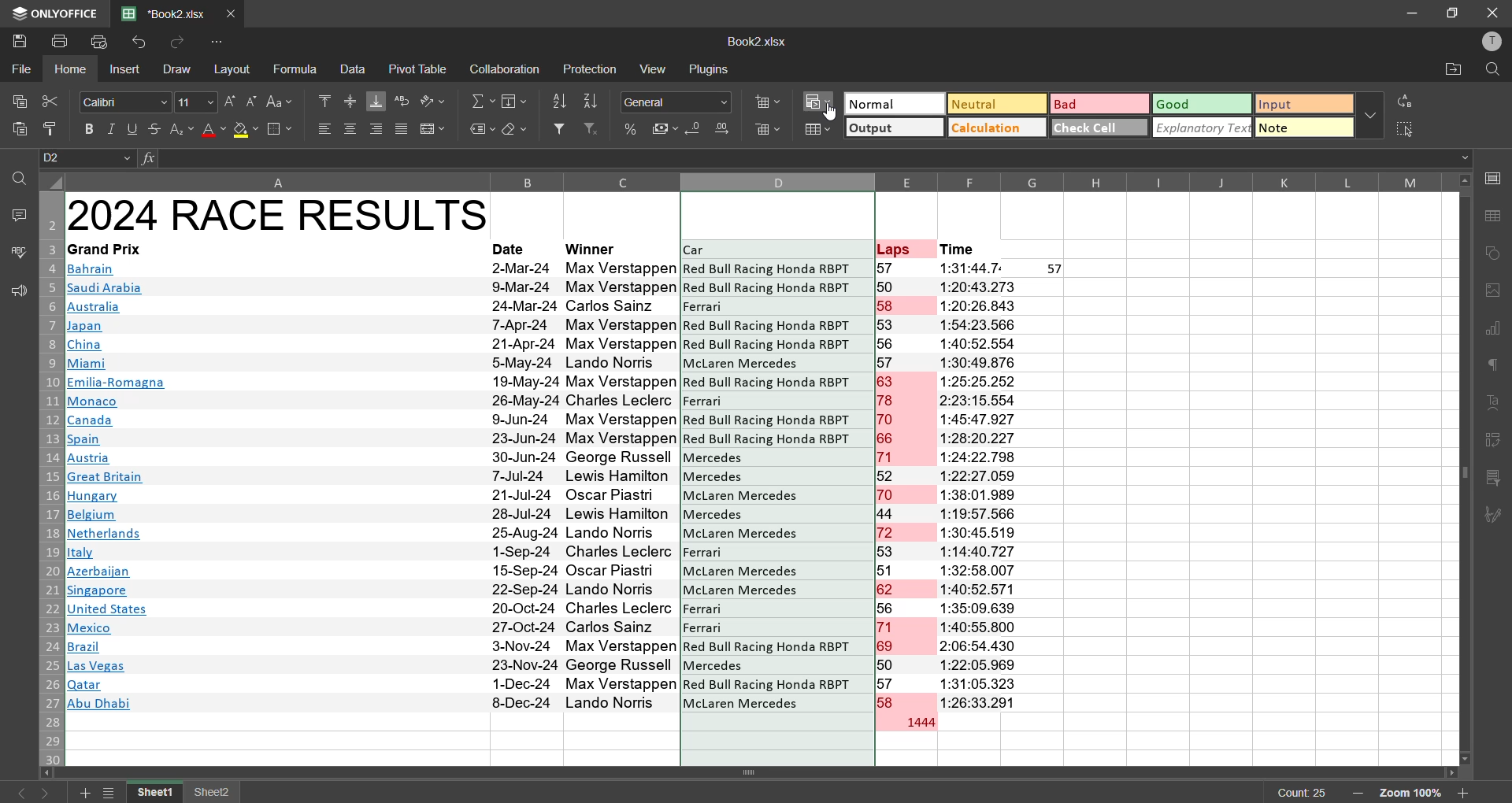 Image resolution: width=1512 pixels, height=803 pixels. I want to click on file, so click(22, 67).